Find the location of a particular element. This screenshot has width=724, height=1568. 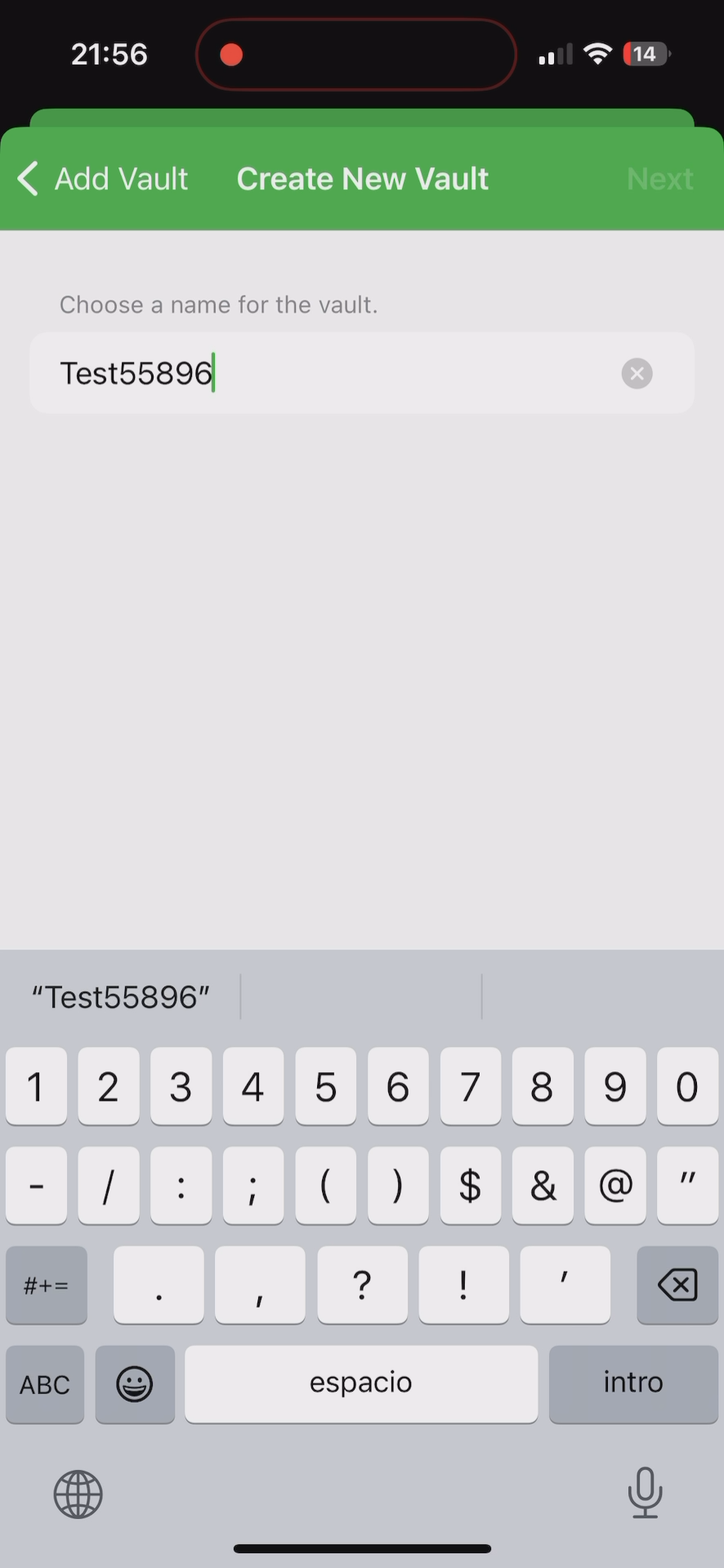

battery is located at coordinates (646, 56).